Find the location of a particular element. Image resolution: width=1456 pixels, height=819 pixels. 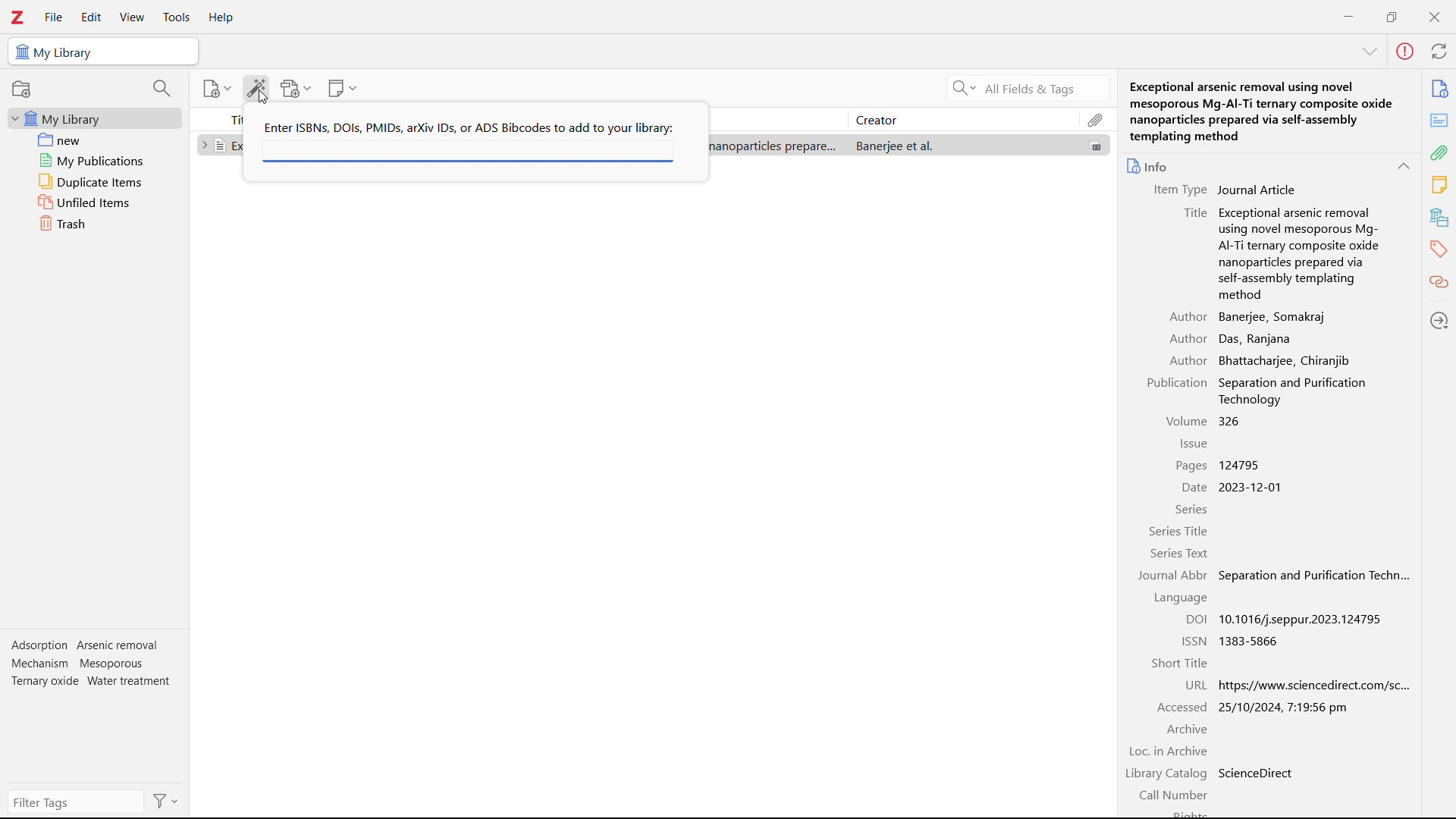

filter collections is located at coordinates (163, 88).